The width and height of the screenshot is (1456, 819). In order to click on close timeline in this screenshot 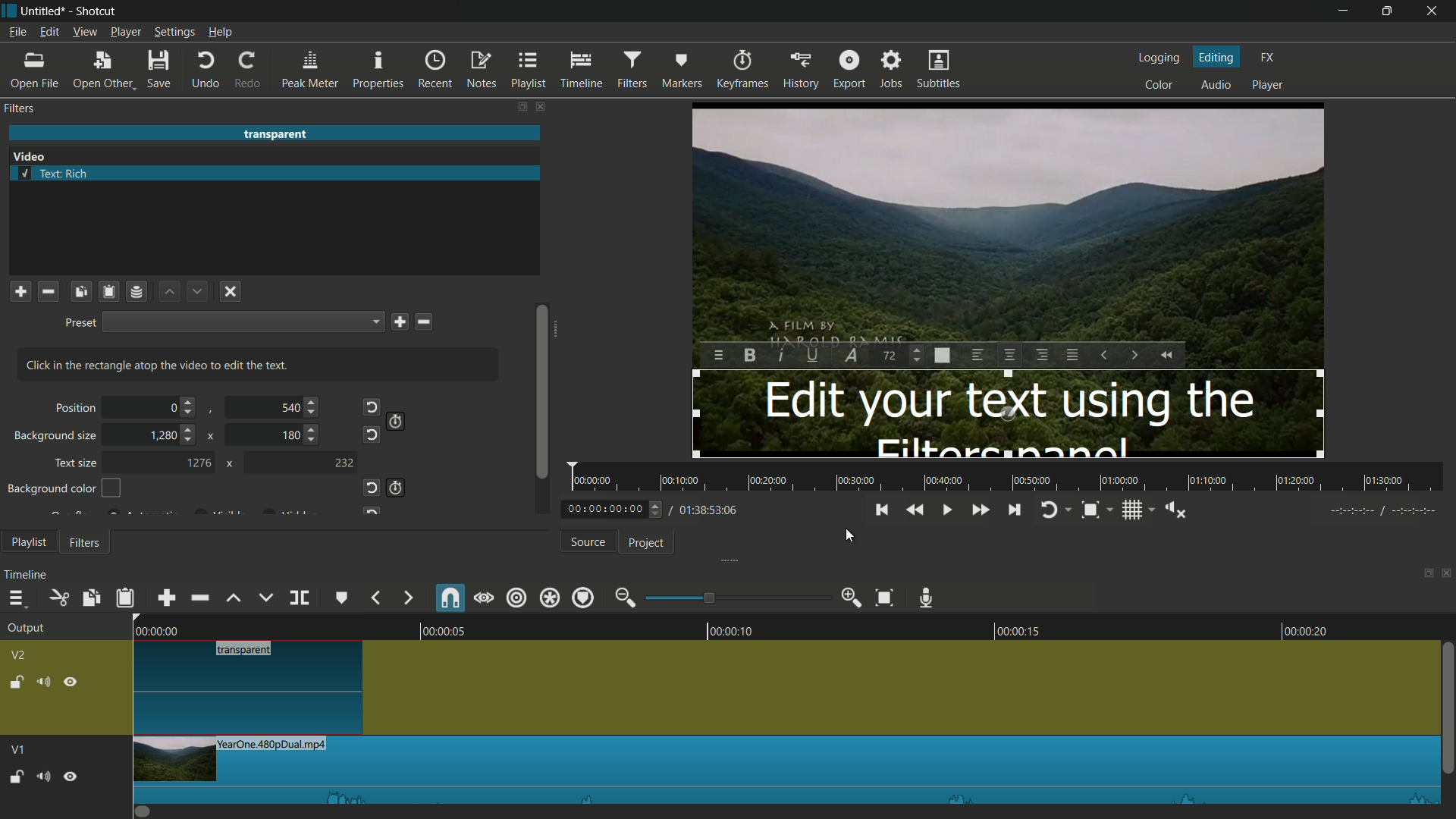, I will do `click(1447, 576)`.